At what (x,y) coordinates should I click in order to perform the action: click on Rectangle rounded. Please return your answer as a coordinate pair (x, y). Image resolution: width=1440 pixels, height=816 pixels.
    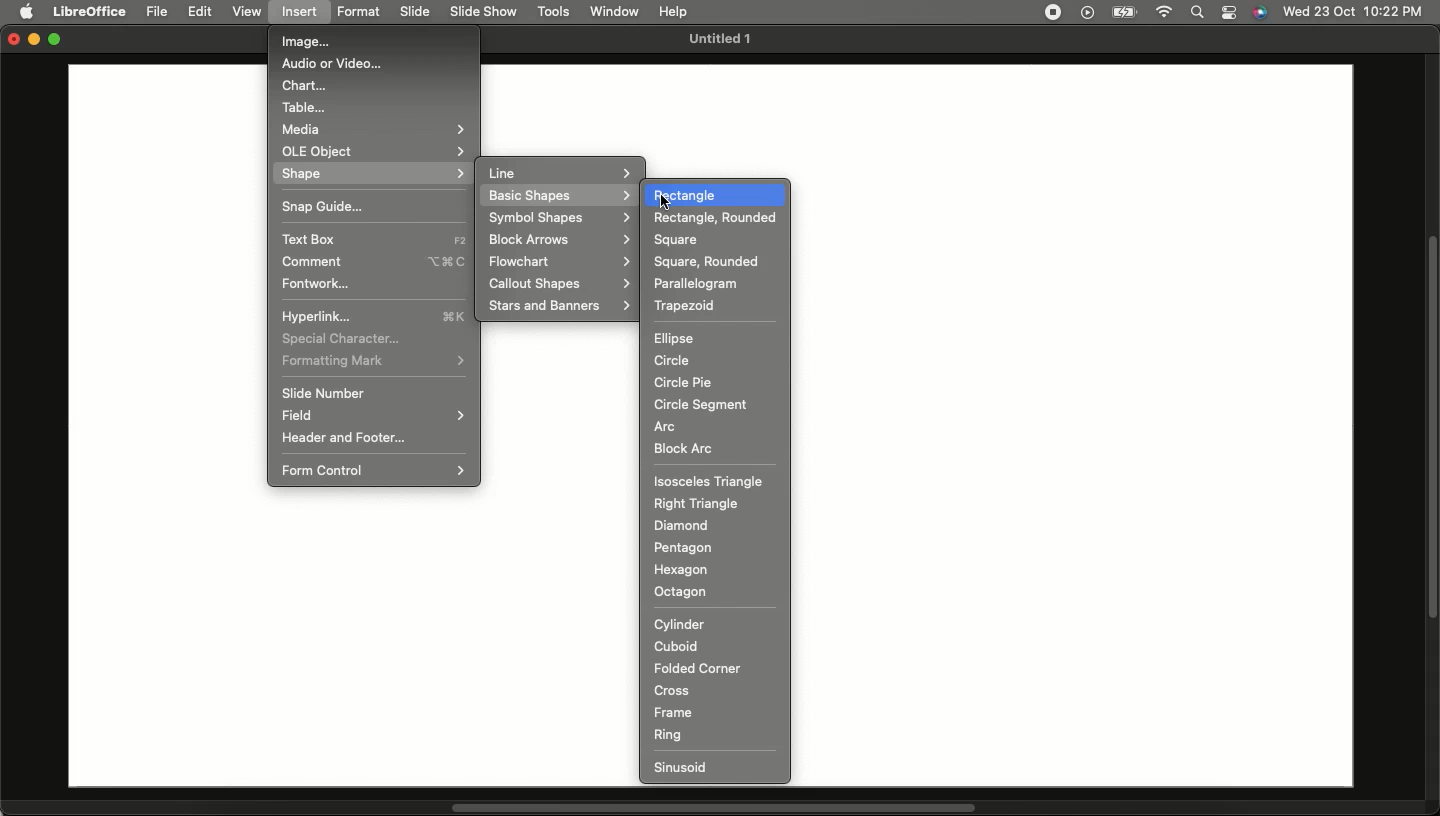
    Looking at the image, I should click on (715, 219).